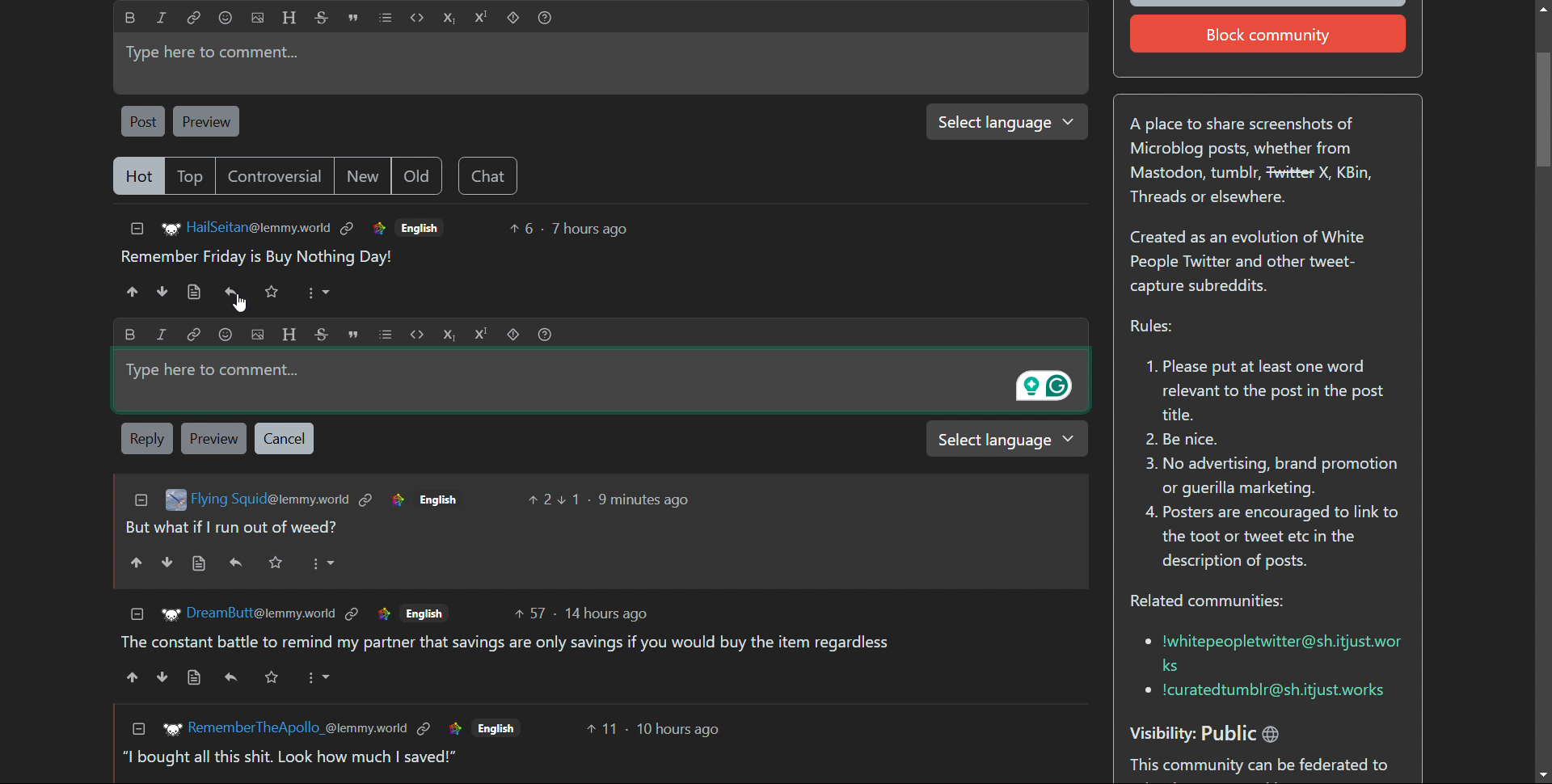 This screenshot has height=784, width=1552. I want to click on upload image, so click(257, 333).